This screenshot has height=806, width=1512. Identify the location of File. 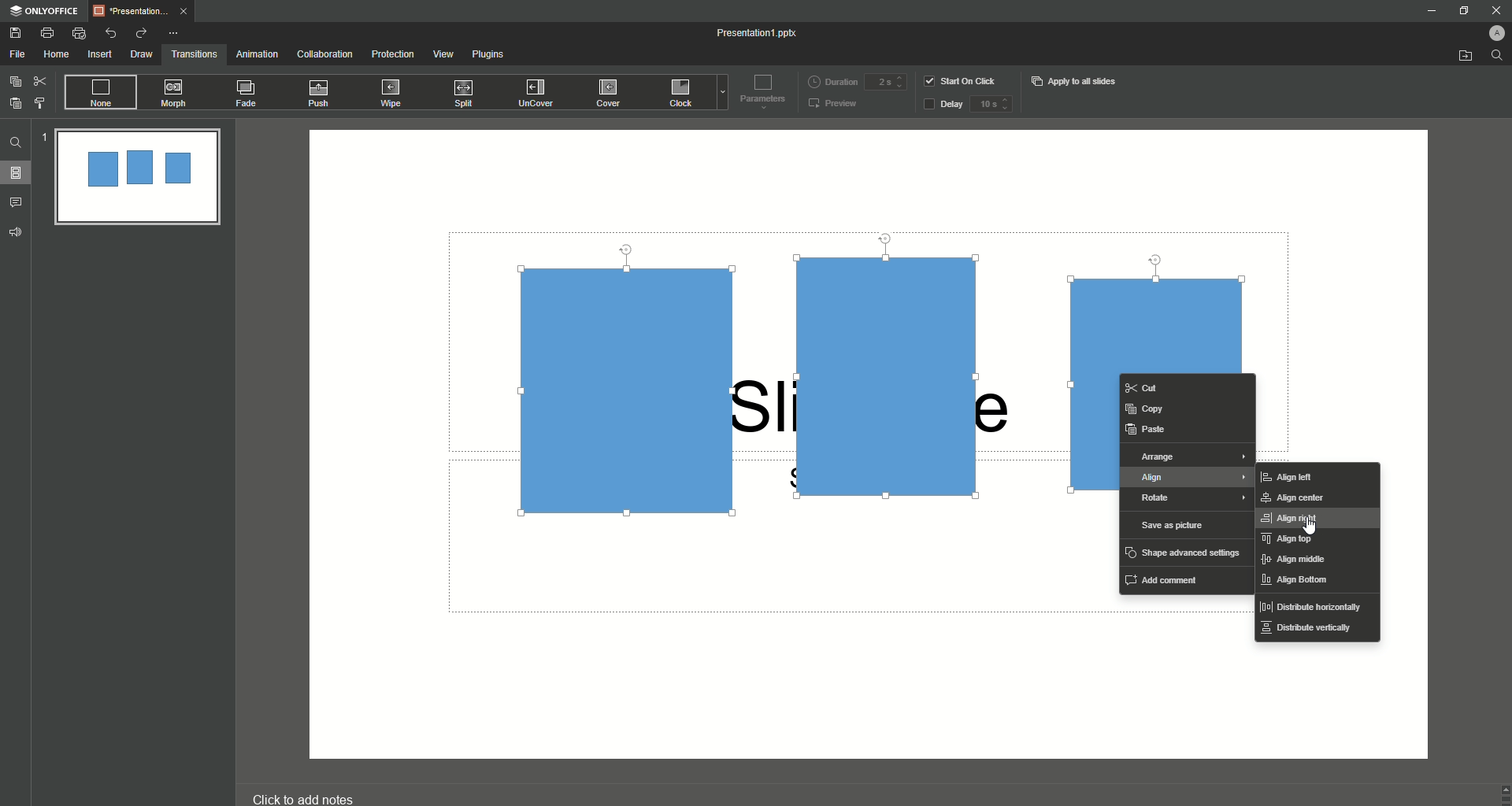
(18, 54).